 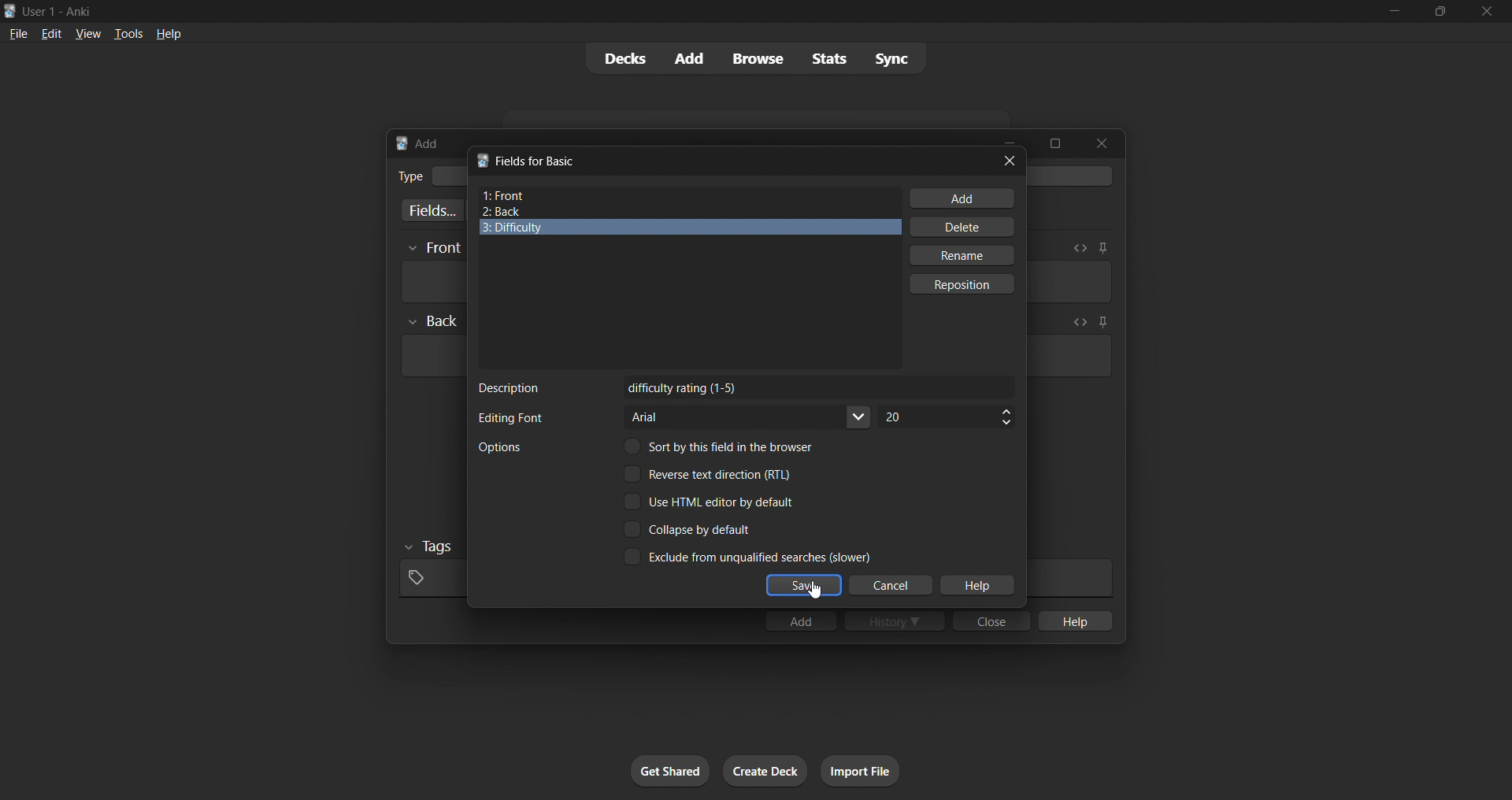 What do you see at coordinates (60, 13) in the screenshot?
I see `Text` at bounding box center [60, 13].